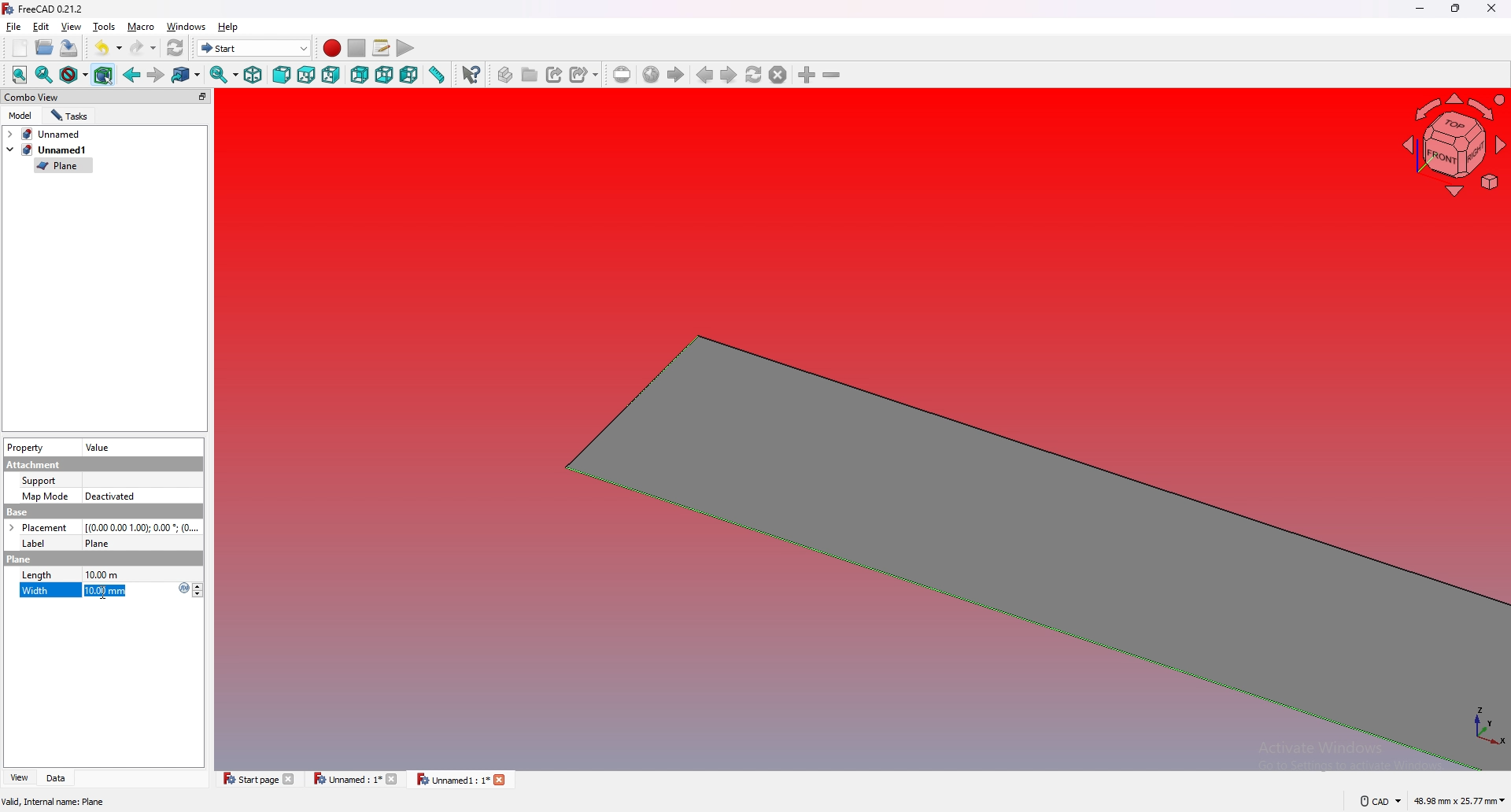 The image size is (1511, 812). Describe the element at coordinates (45, 9) in the screenshot. I see `FreeCAD 0.21.2` at that location.